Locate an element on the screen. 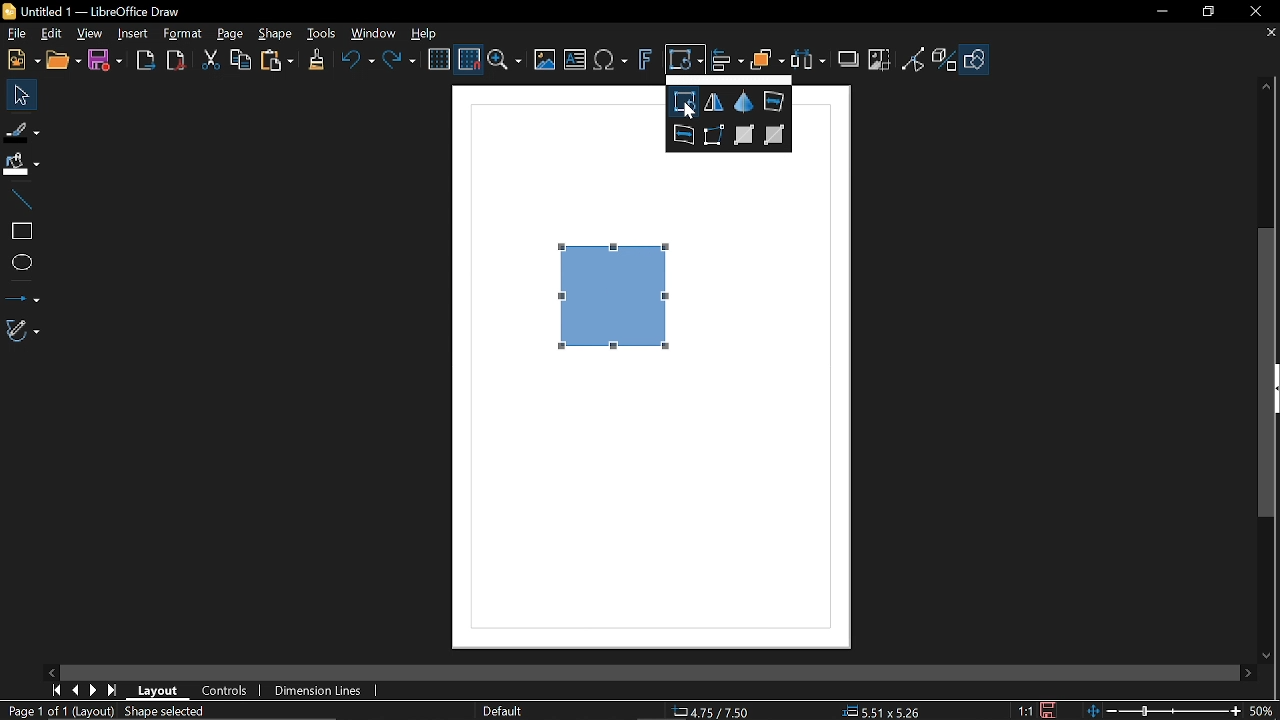 Image resolution: width=1280 pixels, height=720 pixels. Insert equation is located at coordinates (611, 61).